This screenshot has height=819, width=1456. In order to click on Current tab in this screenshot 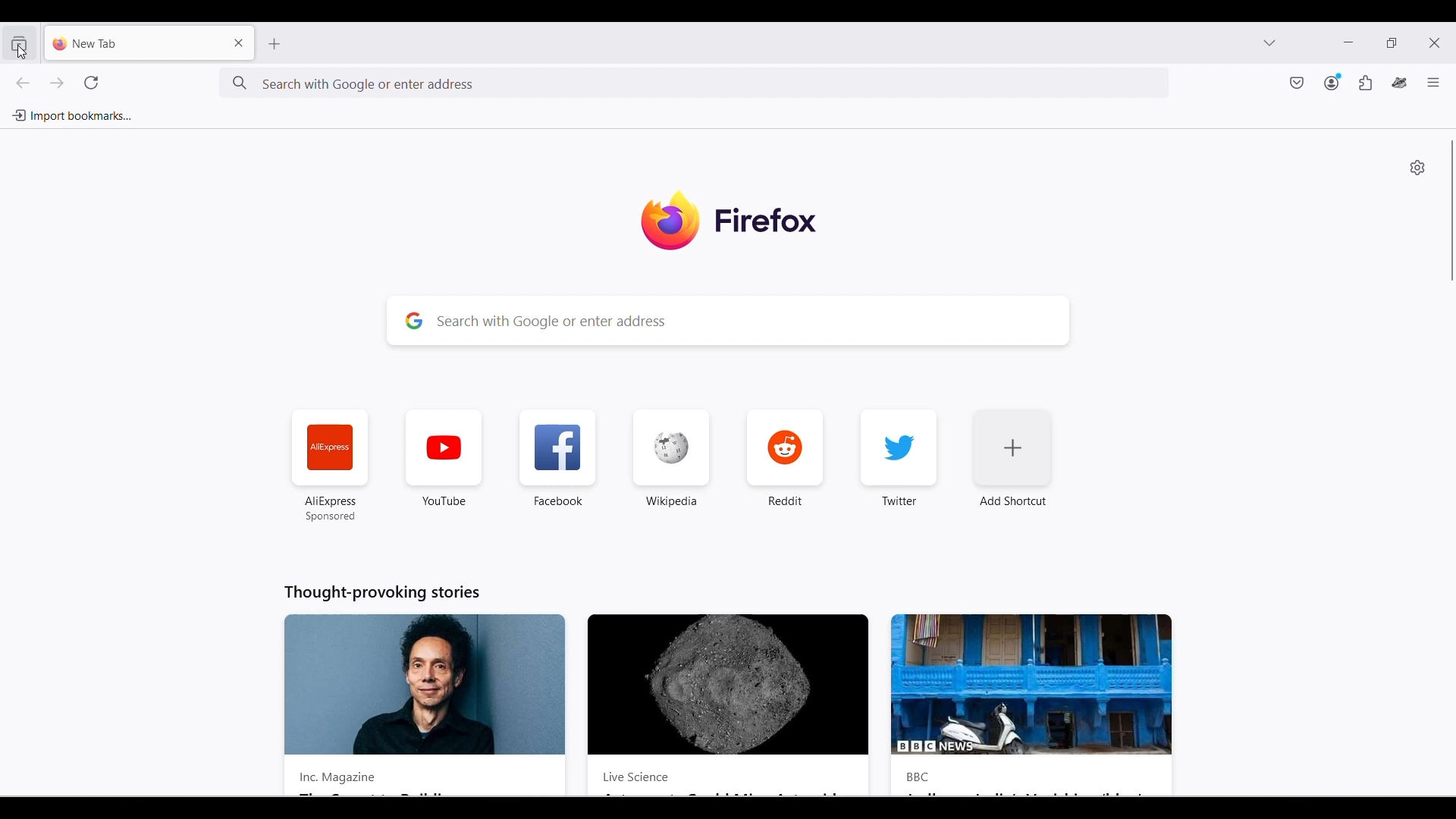, I will do `click(133, 42)`.